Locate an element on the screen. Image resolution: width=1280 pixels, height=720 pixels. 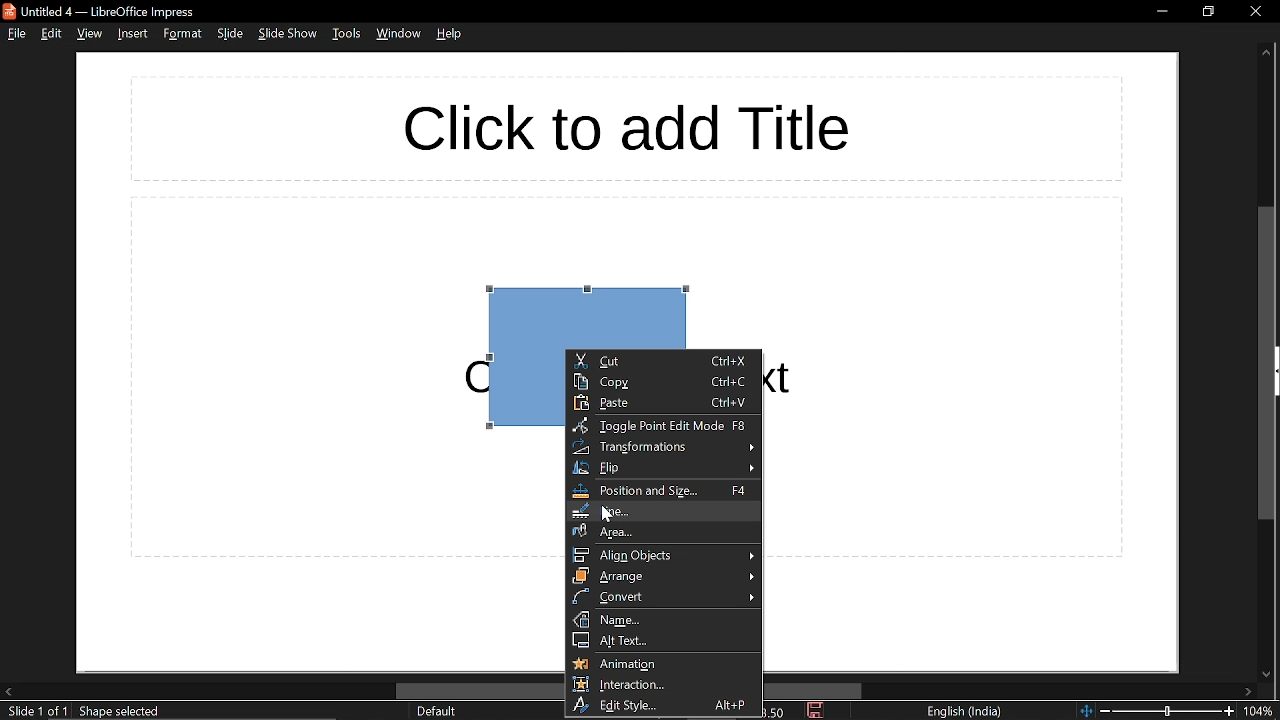
vertical scrollbar is located at coordinates (1269, 363).